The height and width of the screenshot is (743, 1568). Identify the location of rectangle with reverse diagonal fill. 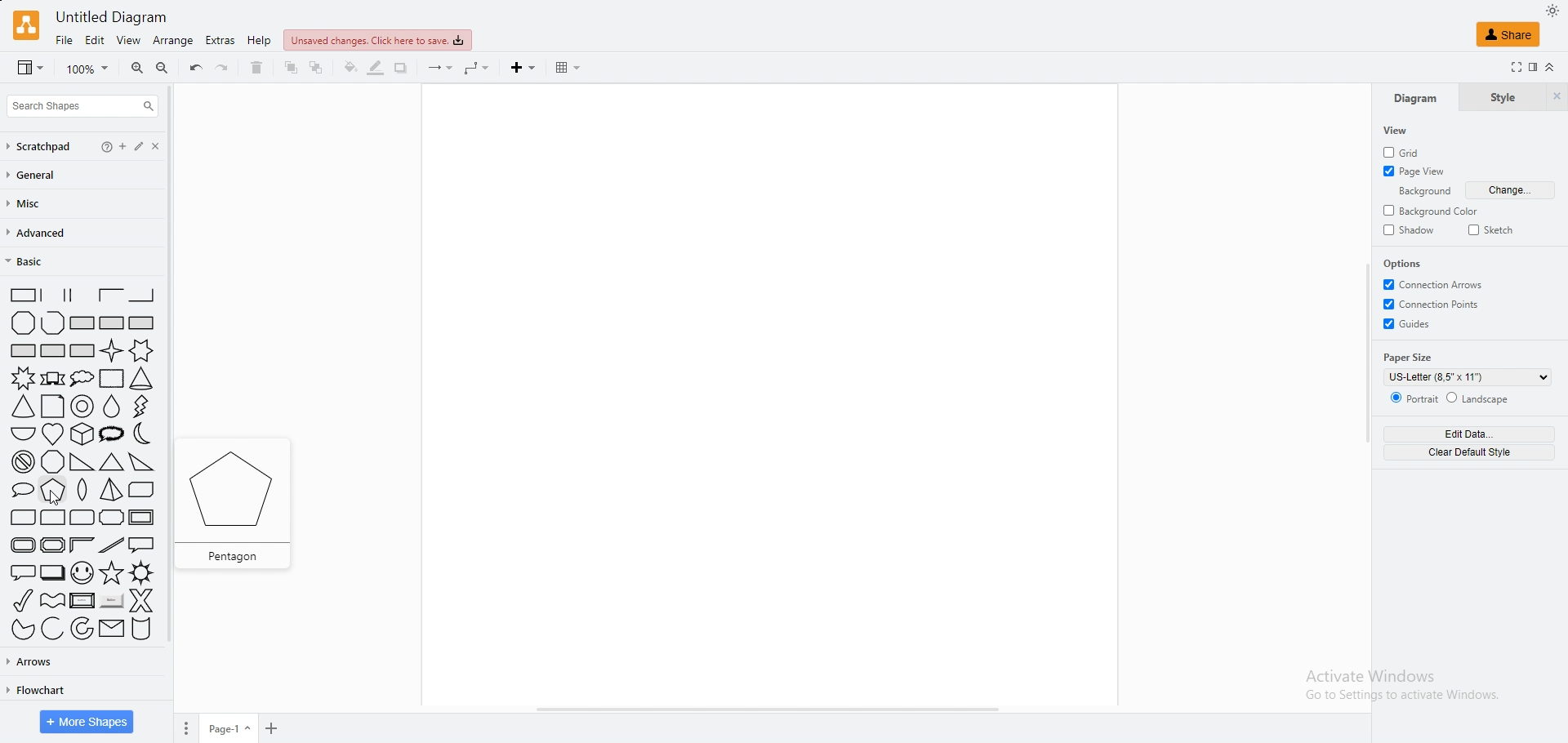
(111, 323).